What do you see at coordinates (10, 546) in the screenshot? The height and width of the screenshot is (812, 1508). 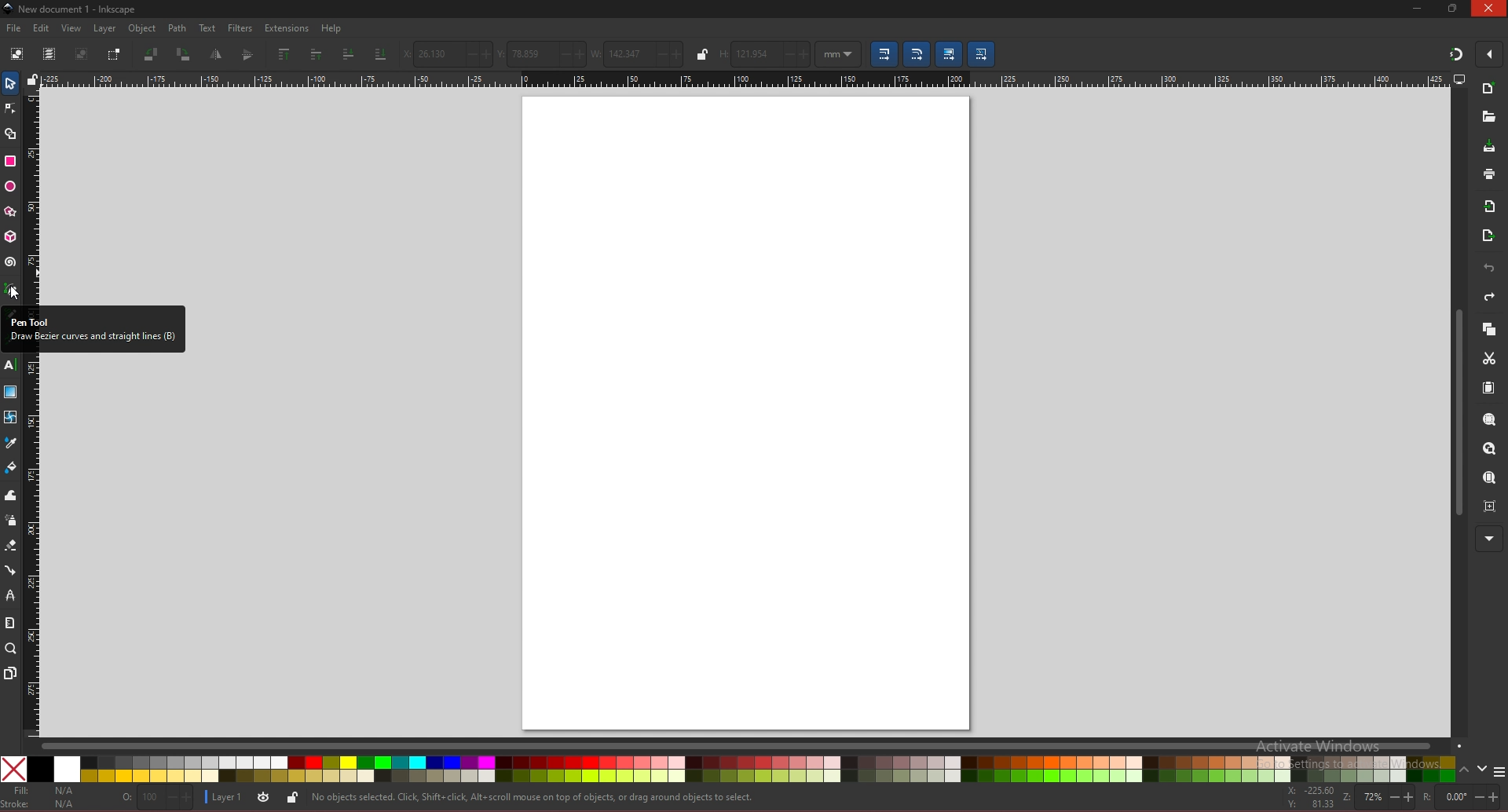 I see `eraser` at bounding box center [10, 546].